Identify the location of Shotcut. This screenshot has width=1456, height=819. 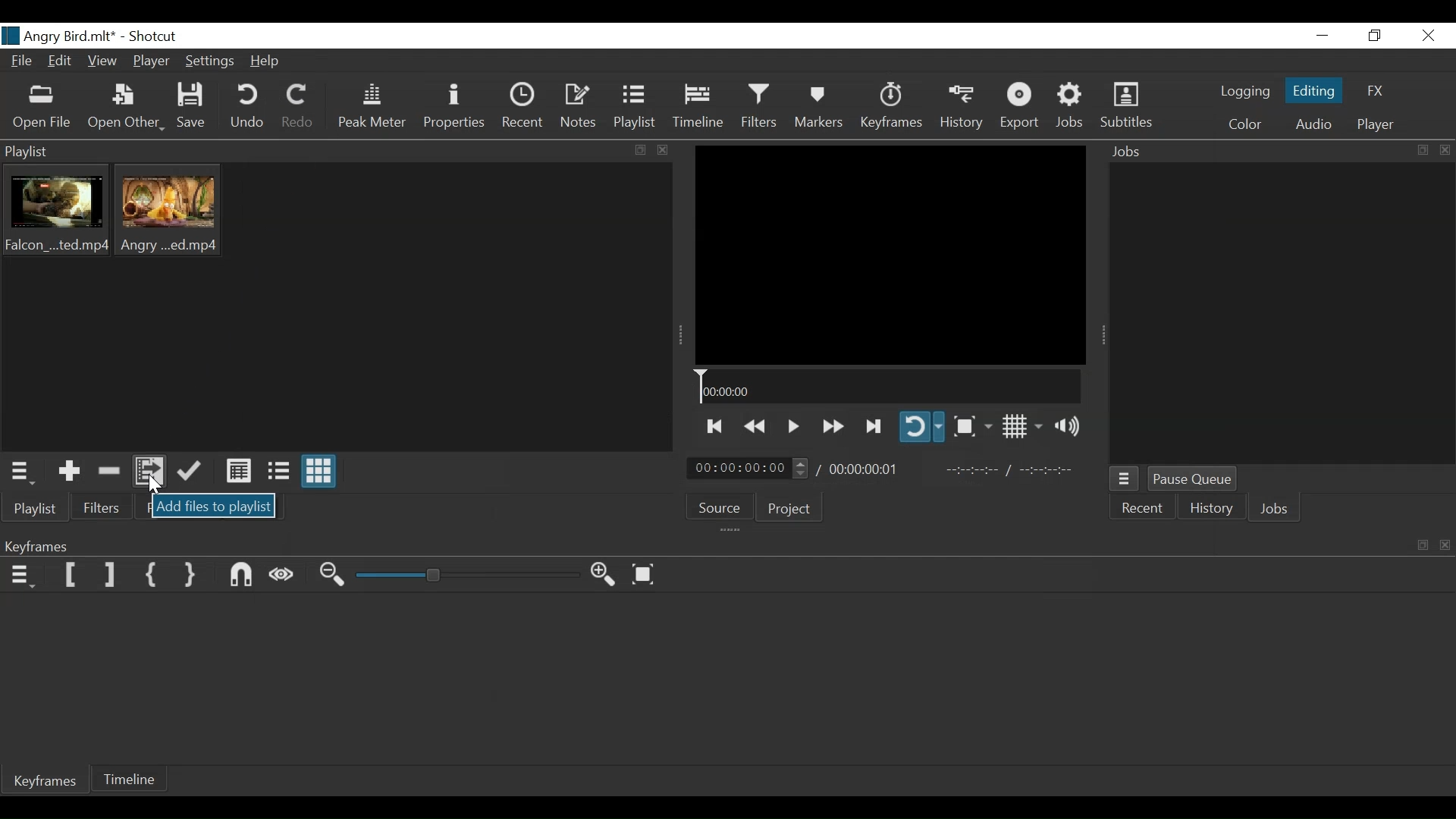
(156, 35).